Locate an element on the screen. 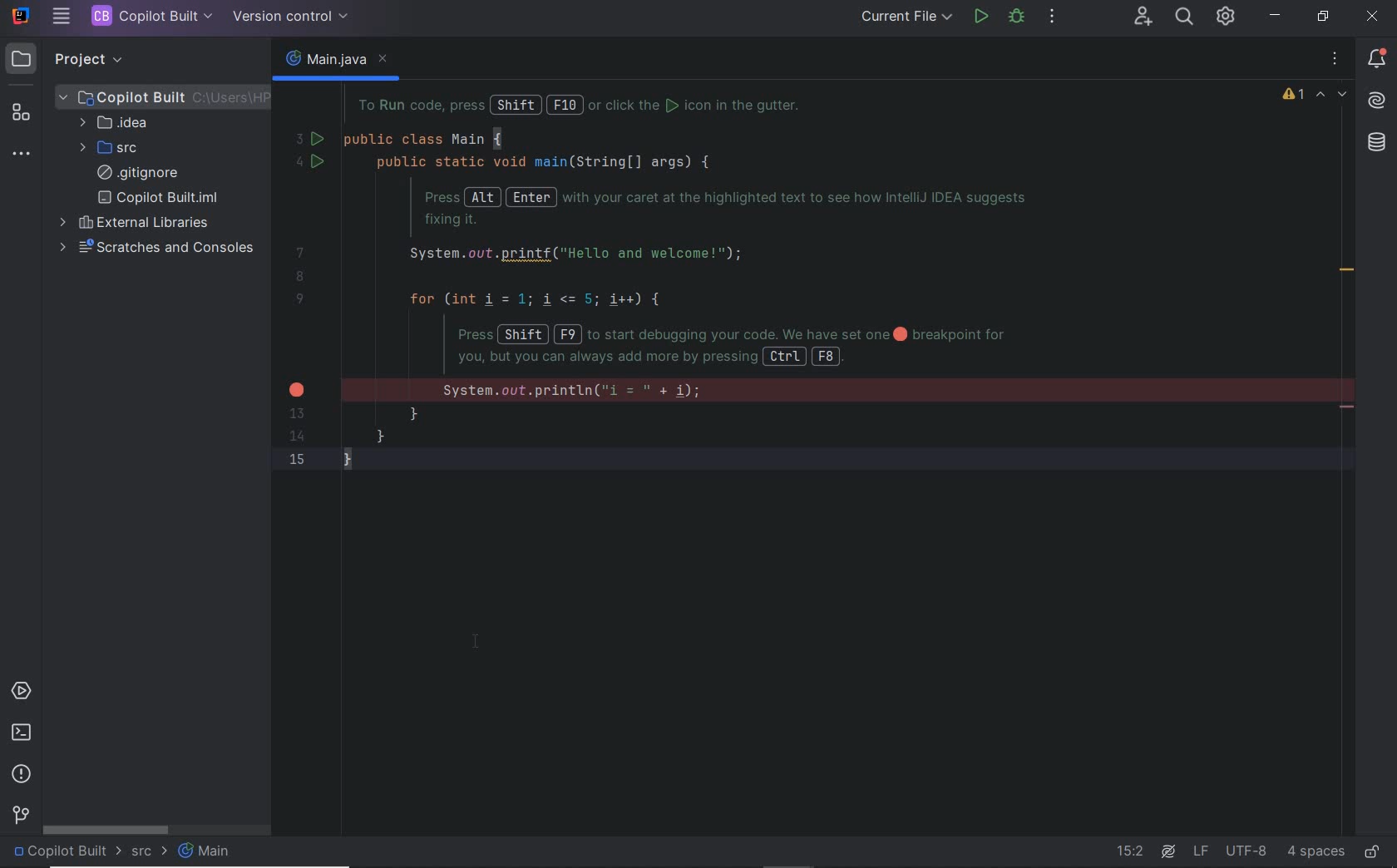 The image size is (1397, 868). restore down is located at coordinates (1321, 16).